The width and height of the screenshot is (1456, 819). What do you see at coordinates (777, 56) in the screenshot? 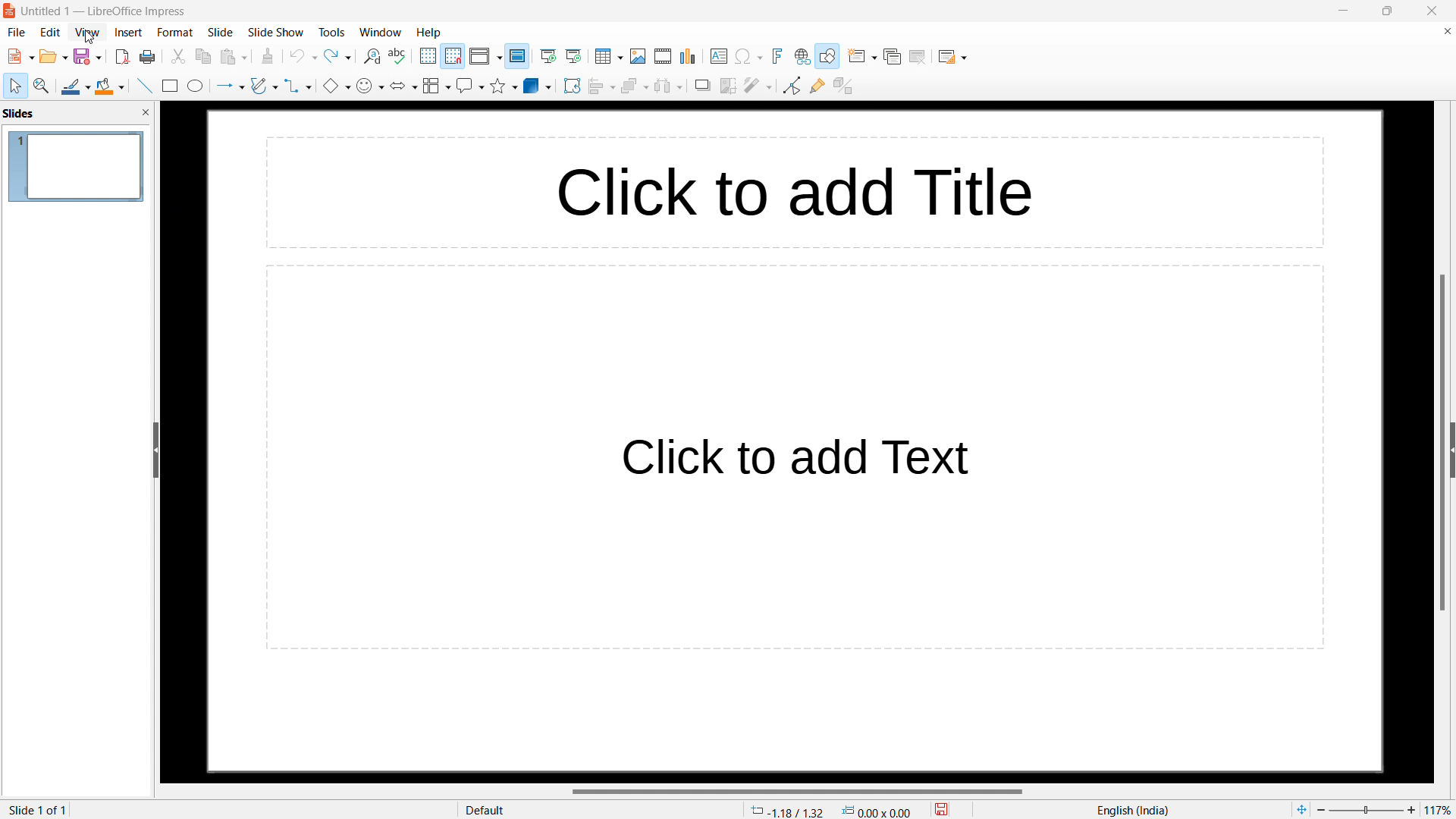
I see `insert fontwork text` at bounding box center [777, 56].